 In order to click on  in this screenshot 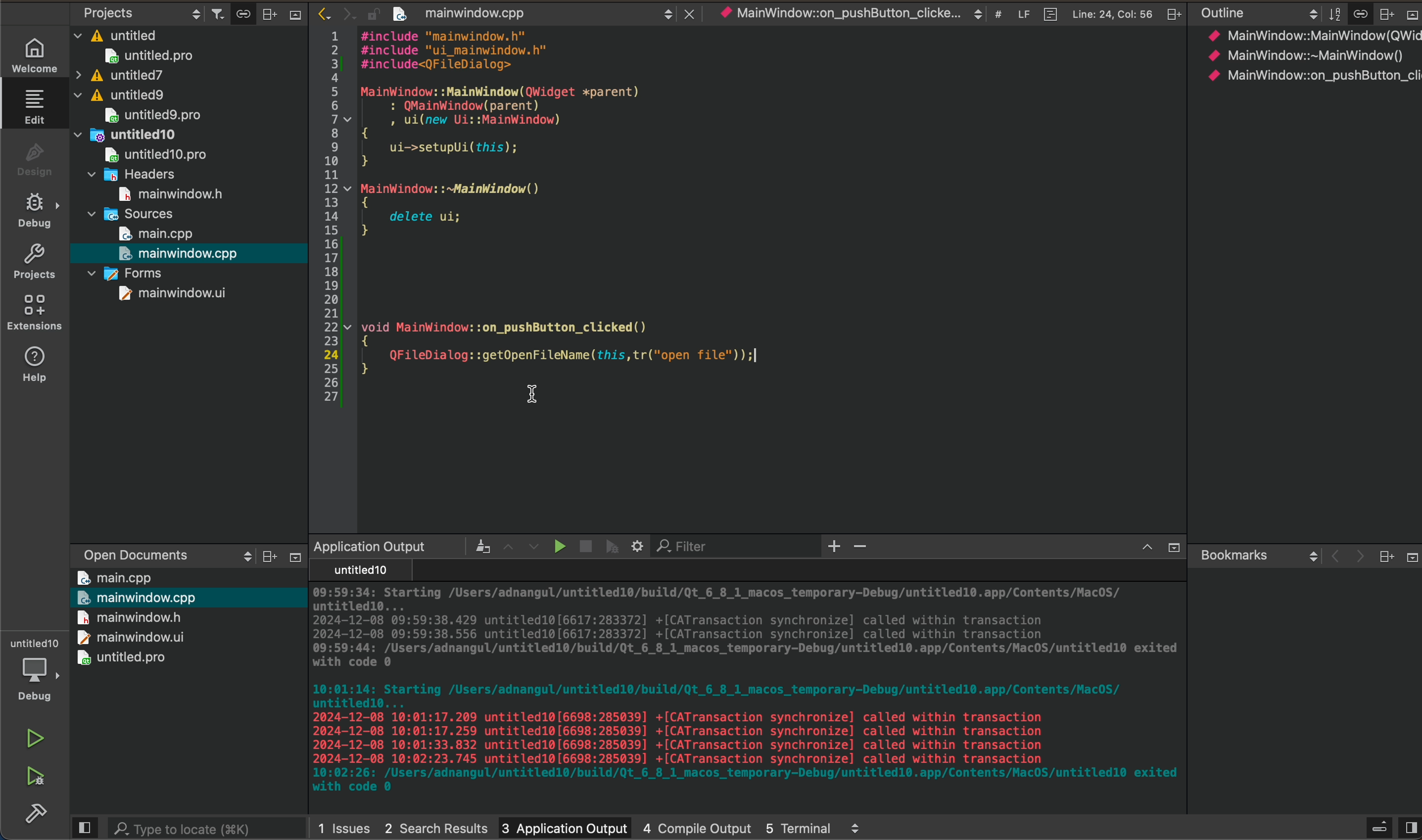, I will do `click(856, 828)`.